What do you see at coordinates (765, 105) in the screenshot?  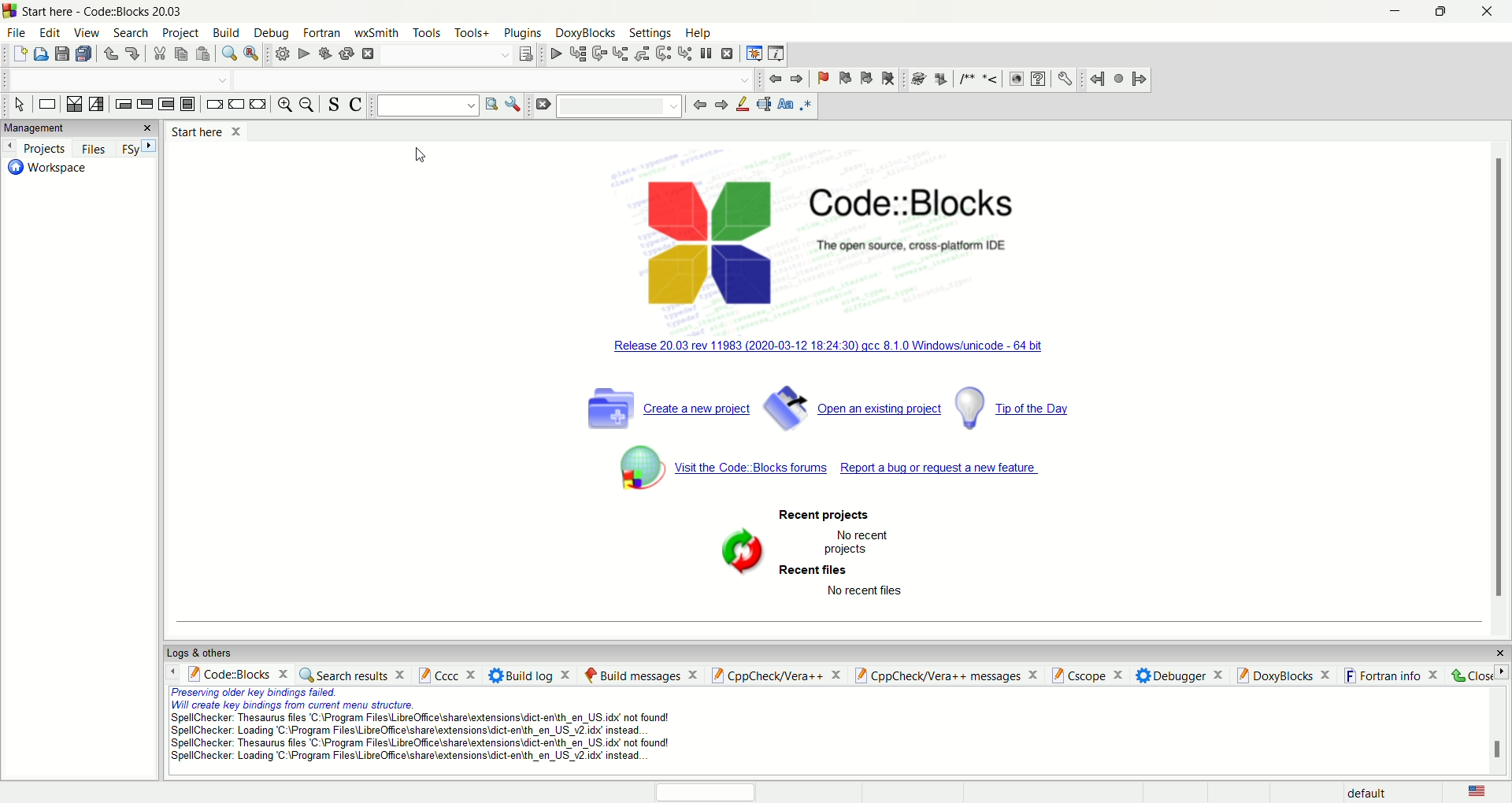 I see `selected text` at bounding box center [765, 105].